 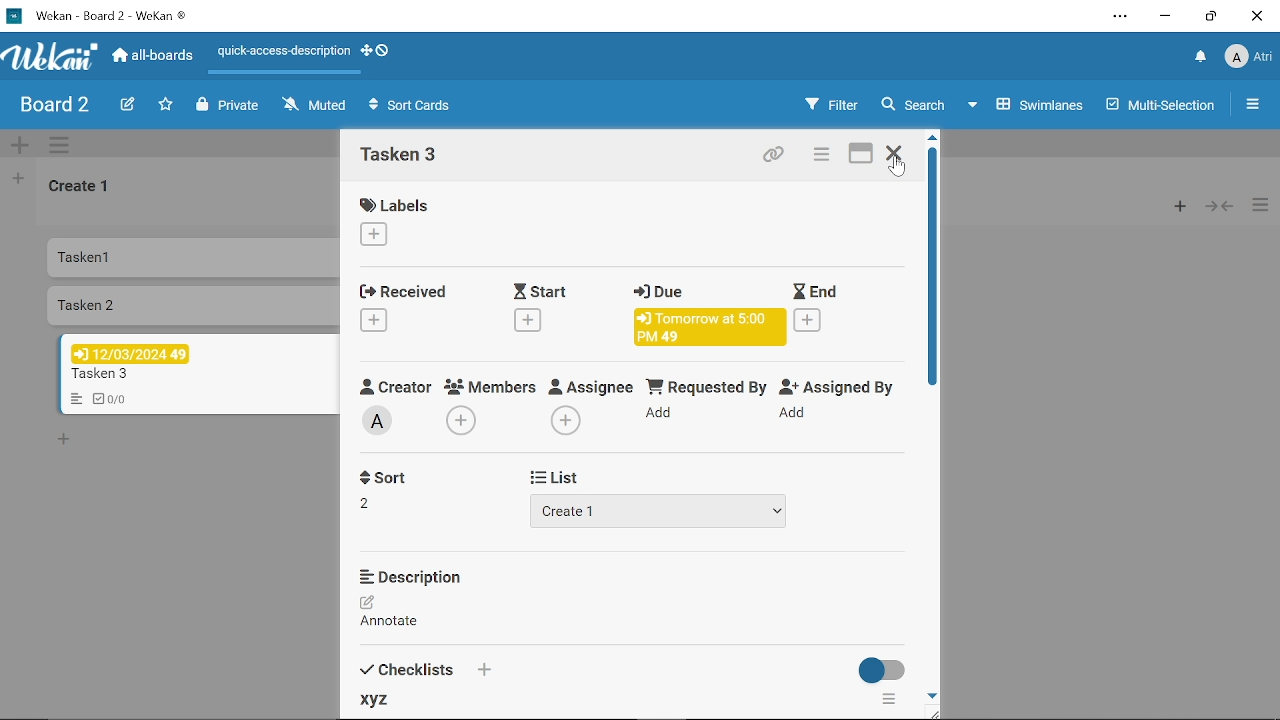 I want to click on Assignee, so click(x=592, y=384).